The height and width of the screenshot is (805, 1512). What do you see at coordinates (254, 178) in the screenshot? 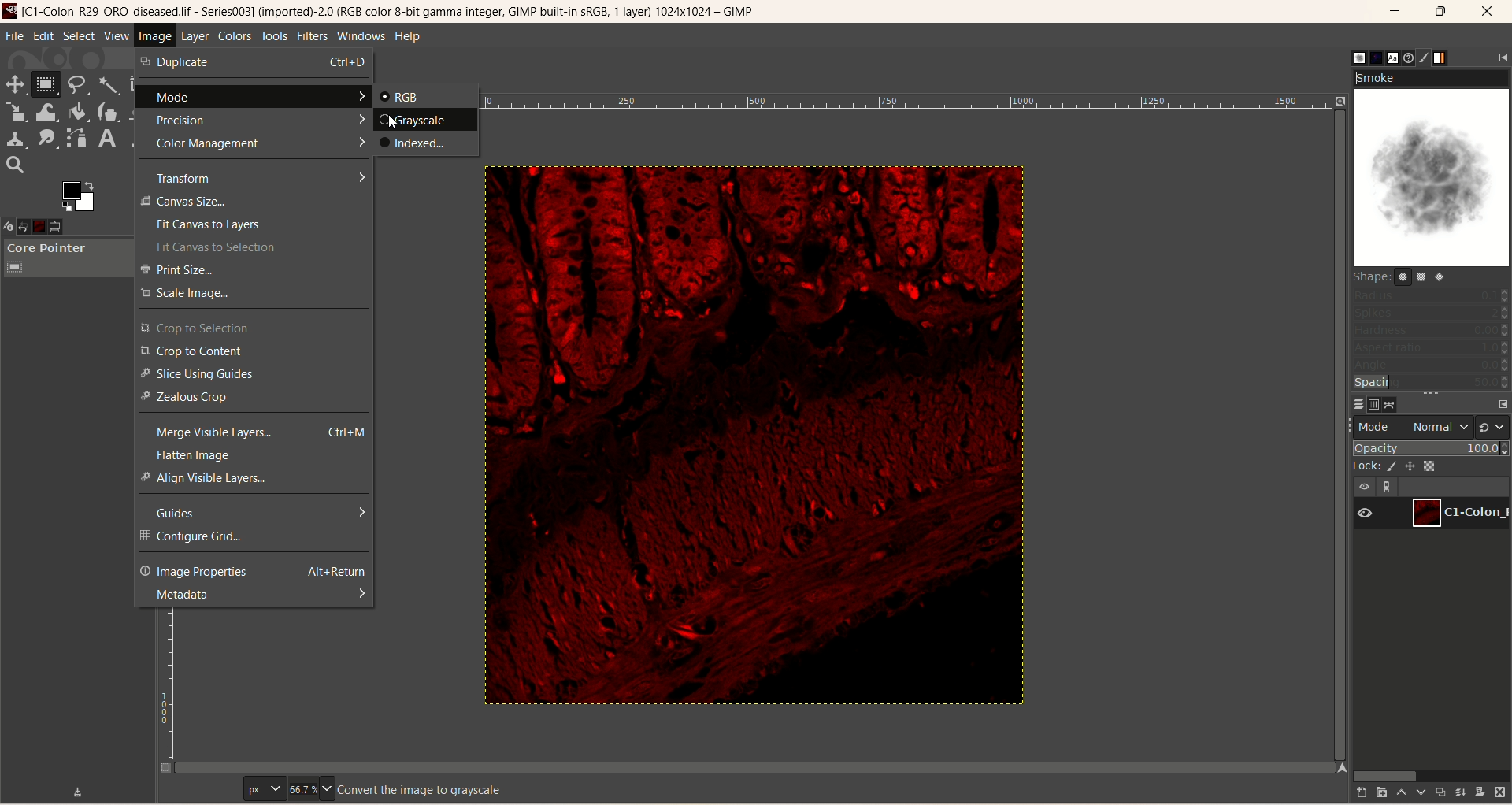
I see `transform` at bounding box center [254, 178].